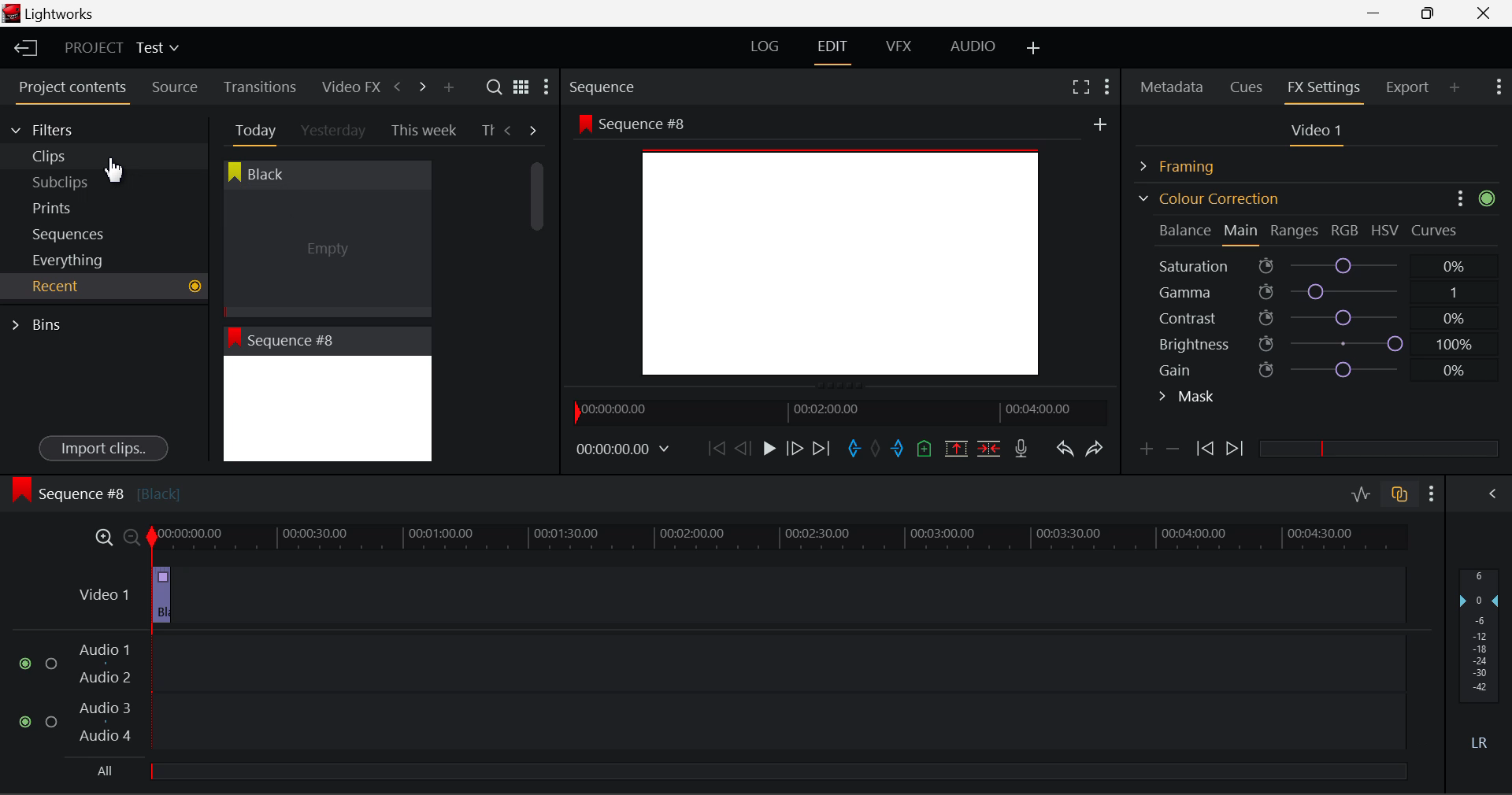  What do you see at coordinates (1497, 85) in the screenshot?
I see `Show Settings` at bounding box center [1497, 85].